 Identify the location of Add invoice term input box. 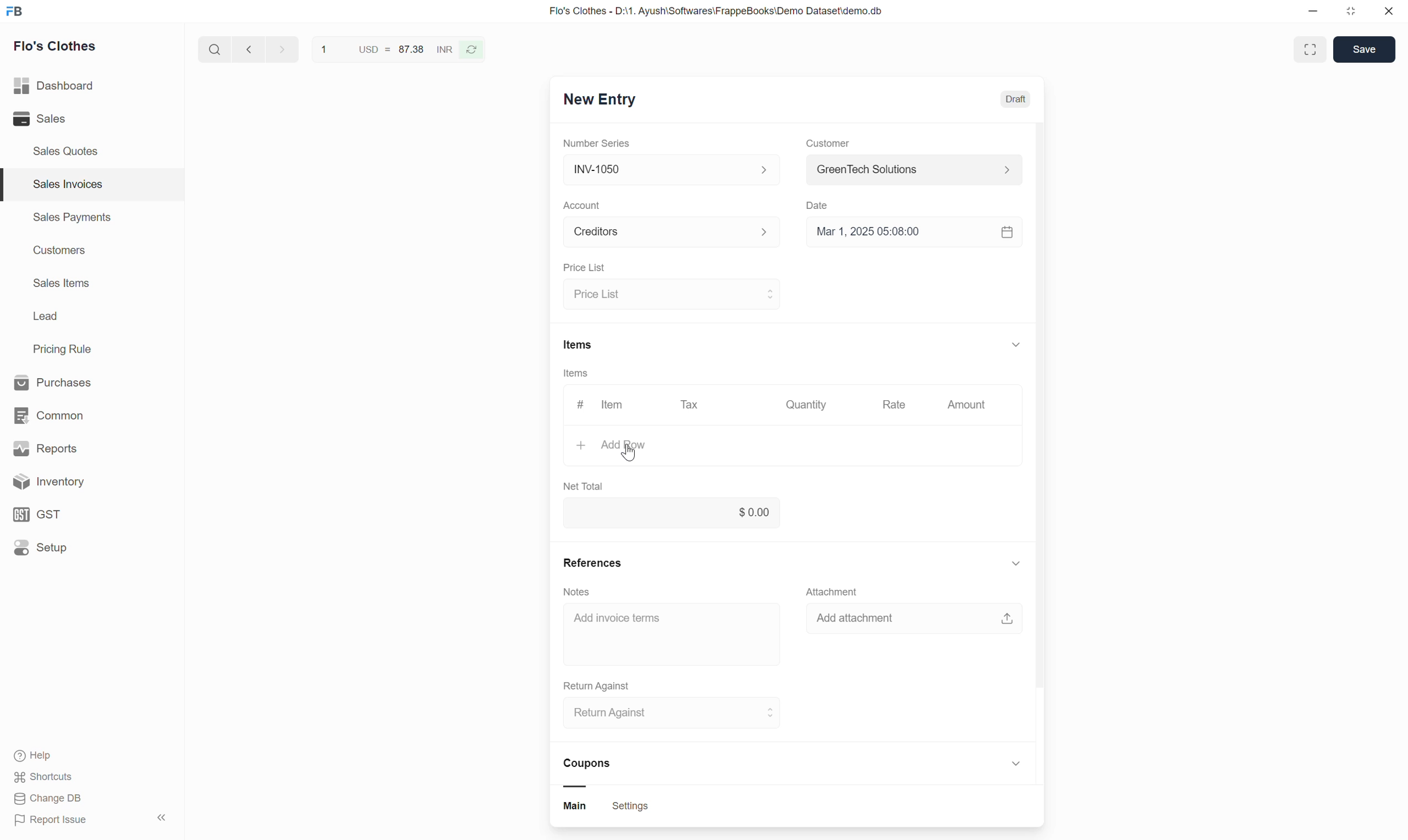
(666, 625).